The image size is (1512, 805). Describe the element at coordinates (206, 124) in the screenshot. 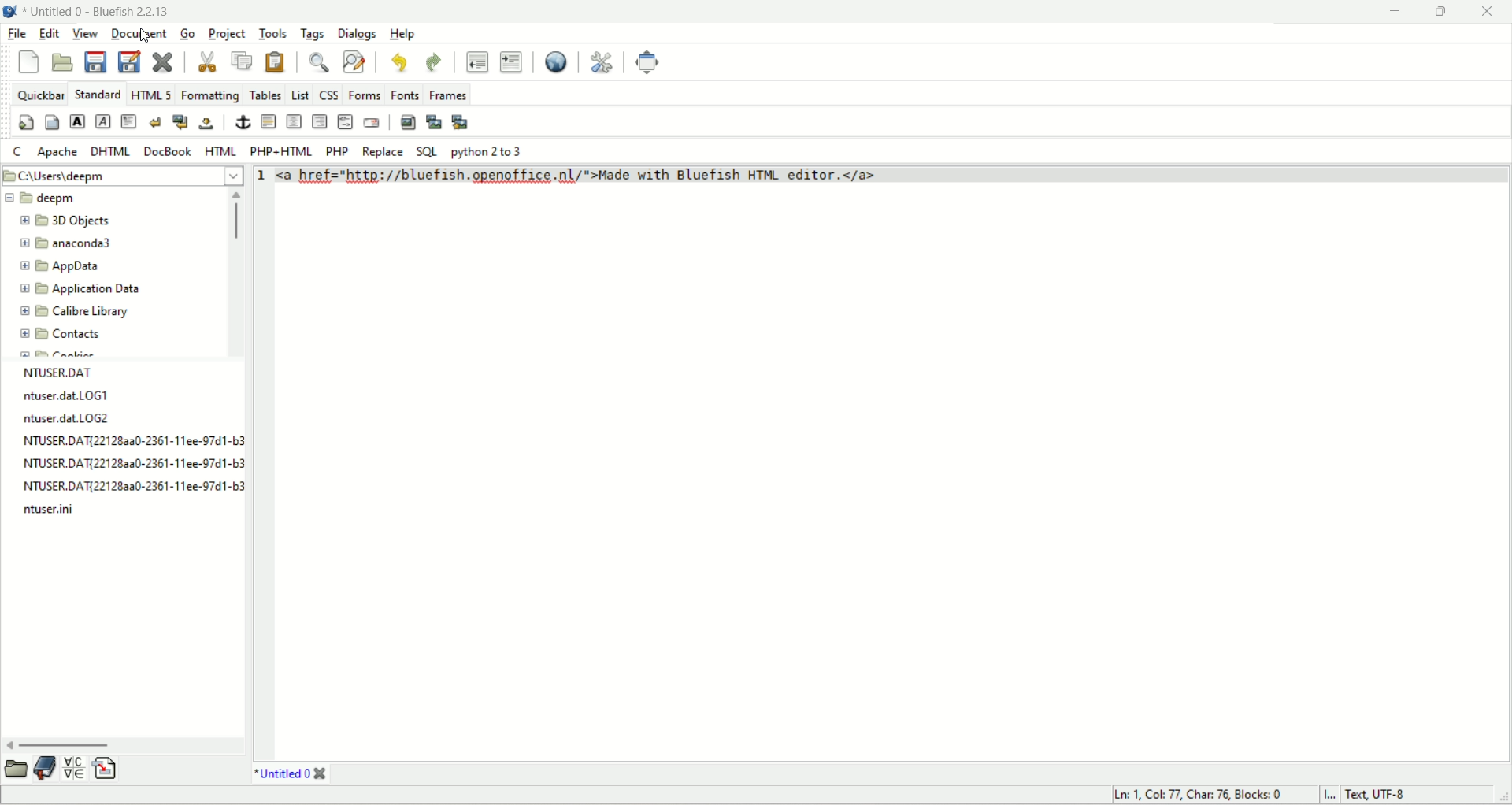

I see `non-breaking space` at that location.